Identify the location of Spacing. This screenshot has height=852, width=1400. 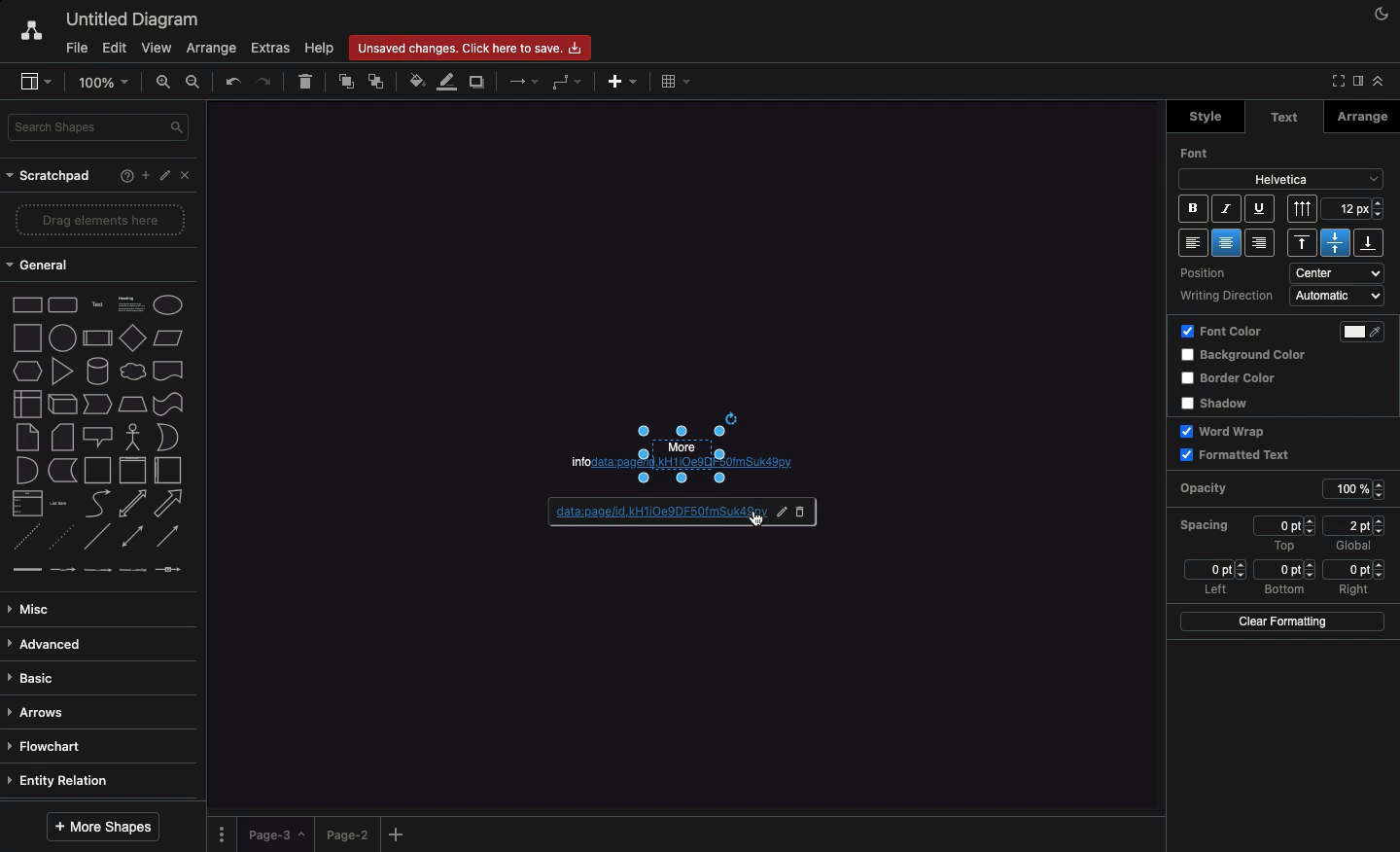
(1206, 524).